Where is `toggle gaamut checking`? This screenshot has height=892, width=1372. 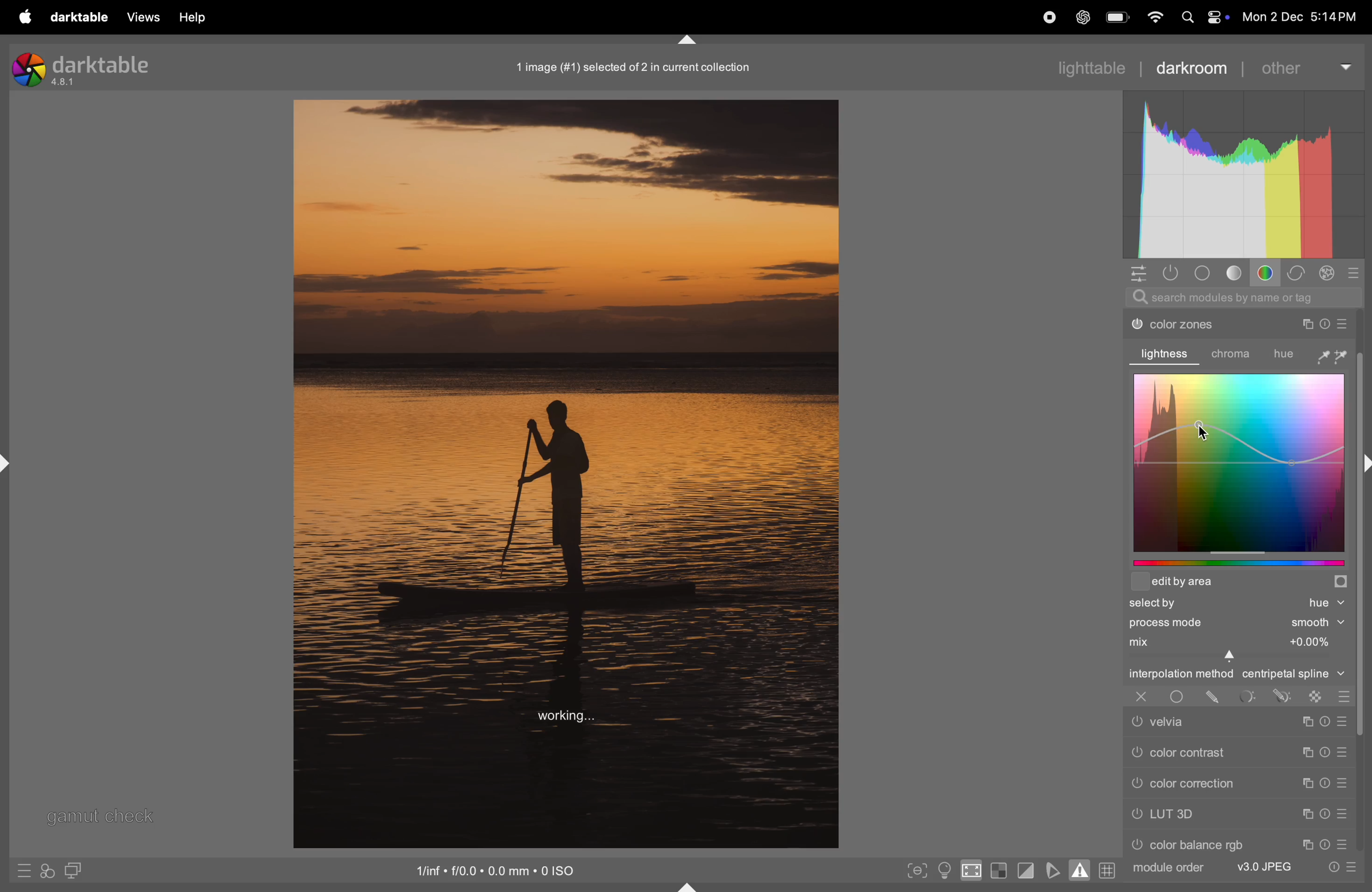
toggle gaamut checking is located at coordinates (1078, 869).